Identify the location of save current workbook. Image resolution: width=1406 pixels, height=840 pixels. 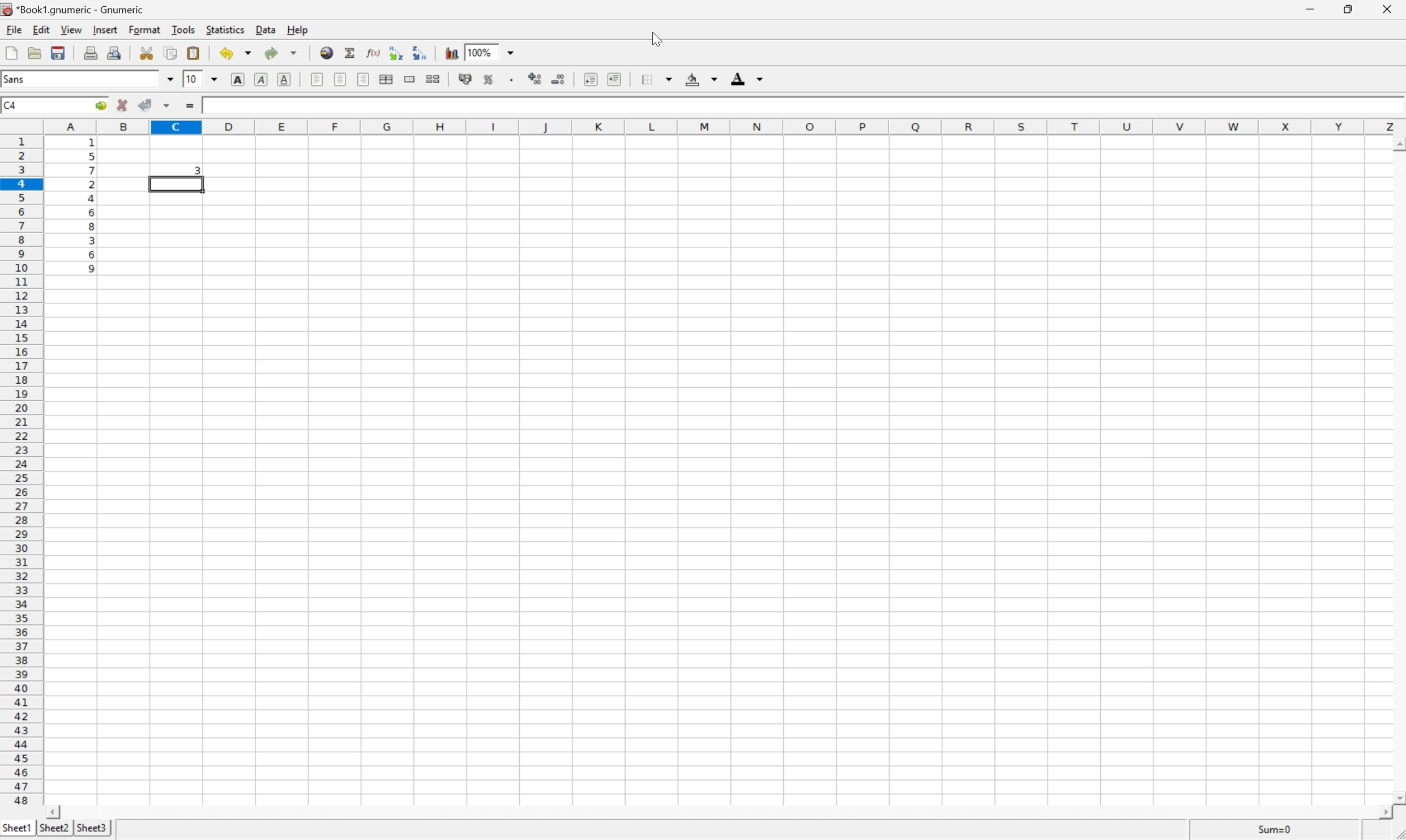
(58, 53).